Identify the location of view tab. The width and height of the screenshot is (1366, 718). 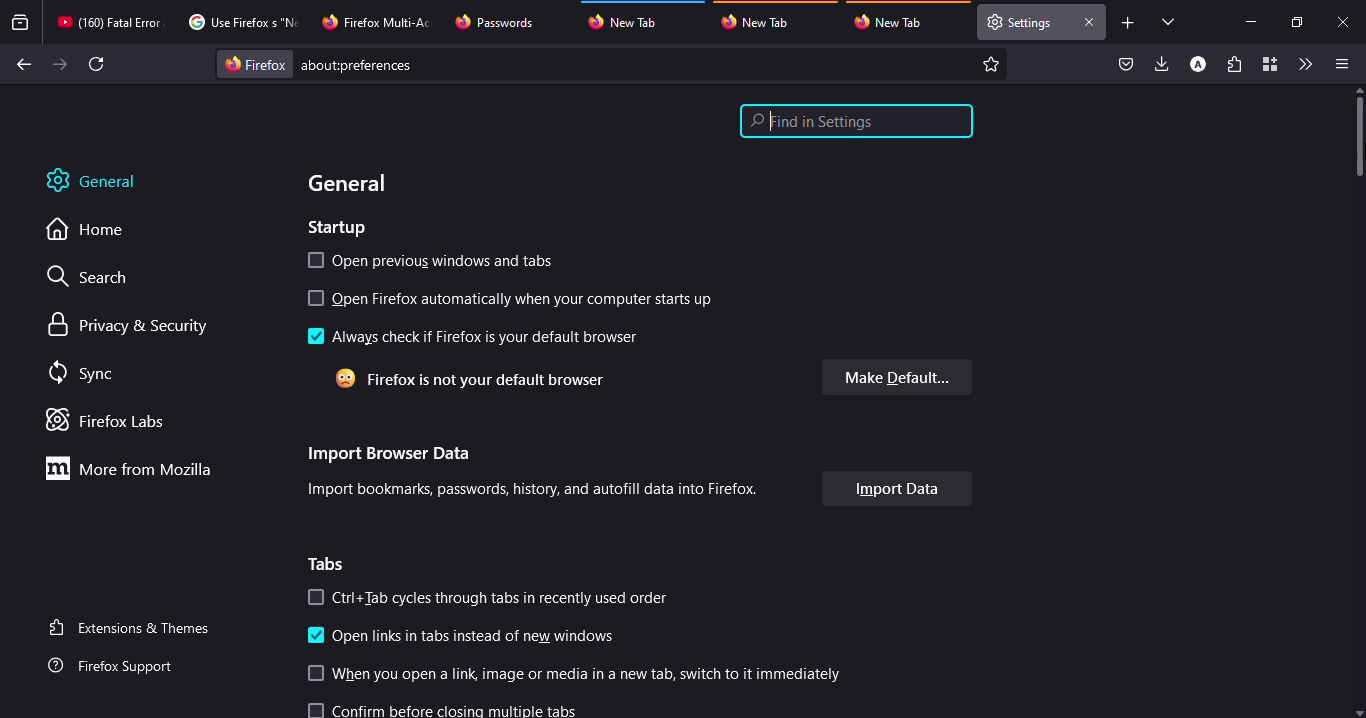
(1169, 21).